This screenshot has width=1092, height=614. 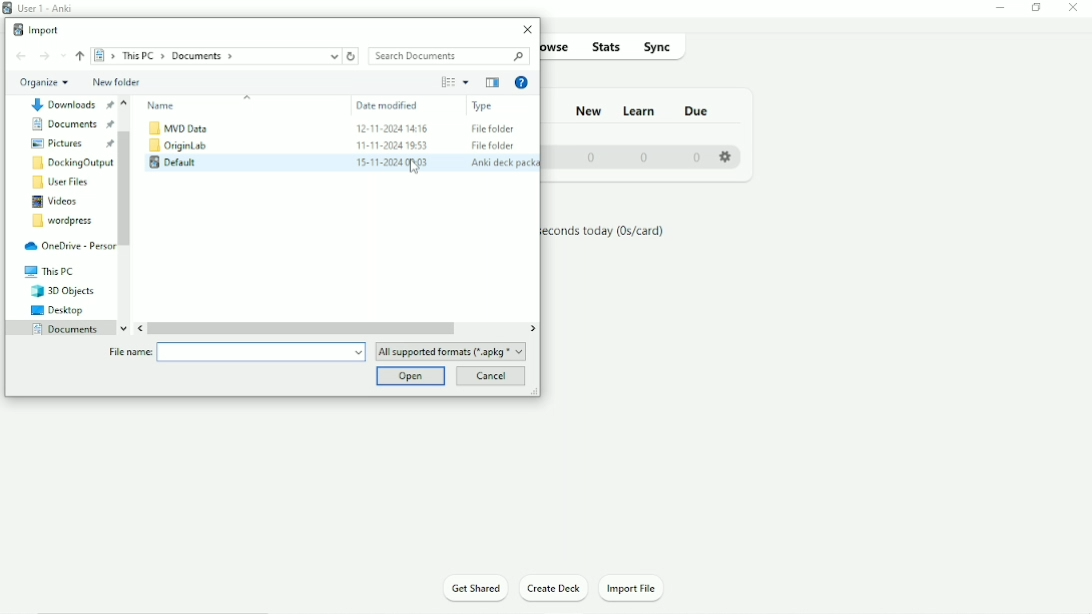 What do you see at coordinates (58, 202) in the screenshot?
I see `Videos` at bounding box center [58, 202].